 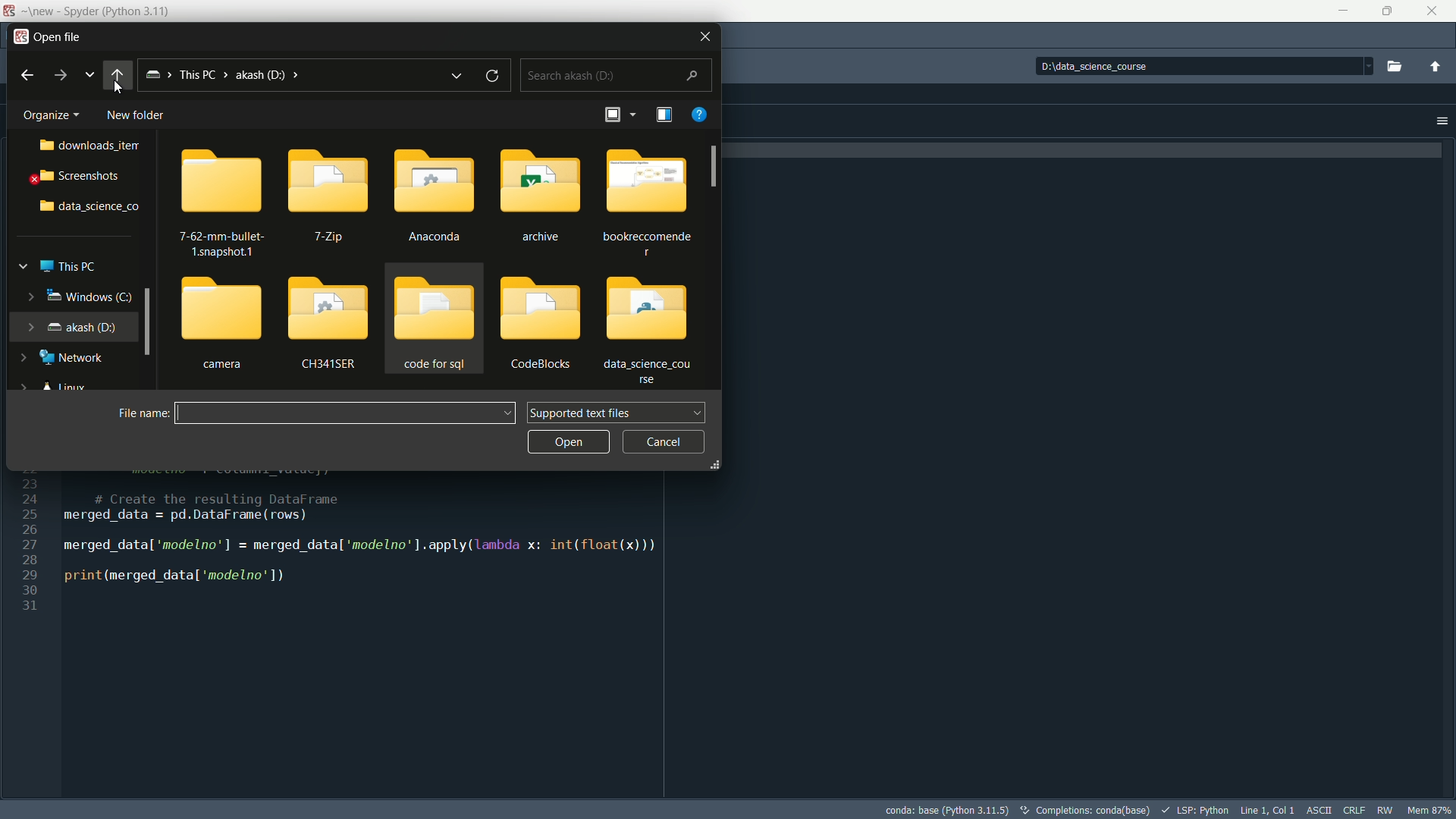 I want to click on expand, so click(x=715, y=464).